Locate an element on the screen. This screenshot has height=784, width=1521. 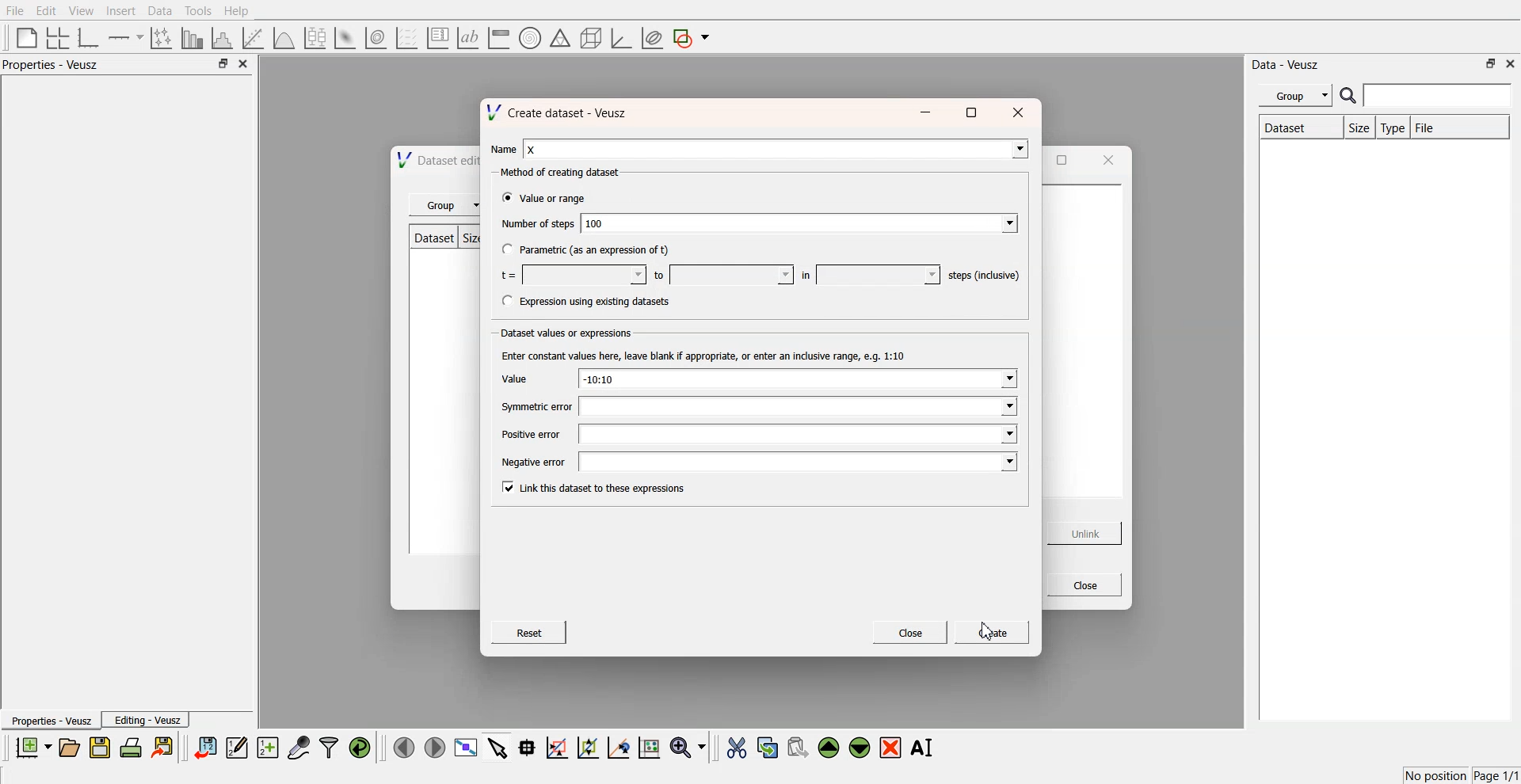
recenter the graph axes is located at coordinates (618, 747).